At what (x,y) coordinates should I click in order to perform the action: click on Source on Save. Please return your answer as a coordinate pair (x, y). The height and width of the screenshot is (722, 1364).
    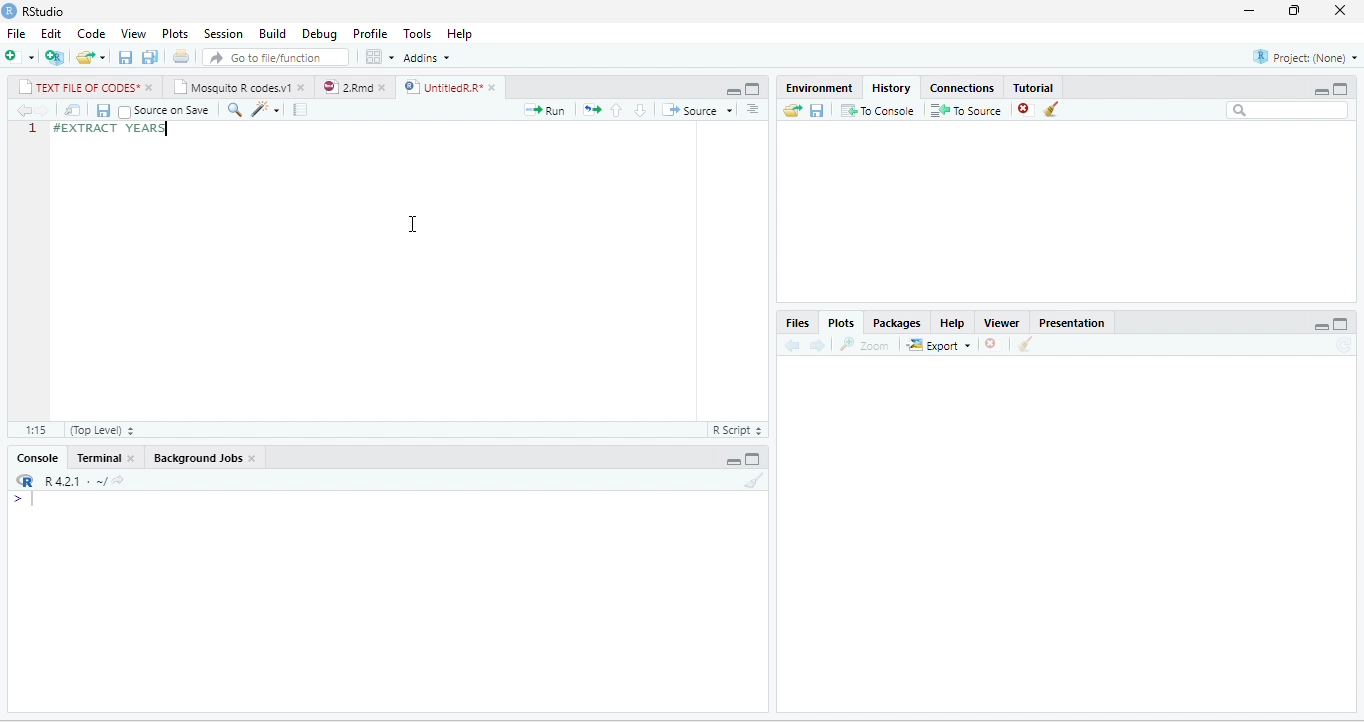
    Looking at the image, I should click on (164, 110).